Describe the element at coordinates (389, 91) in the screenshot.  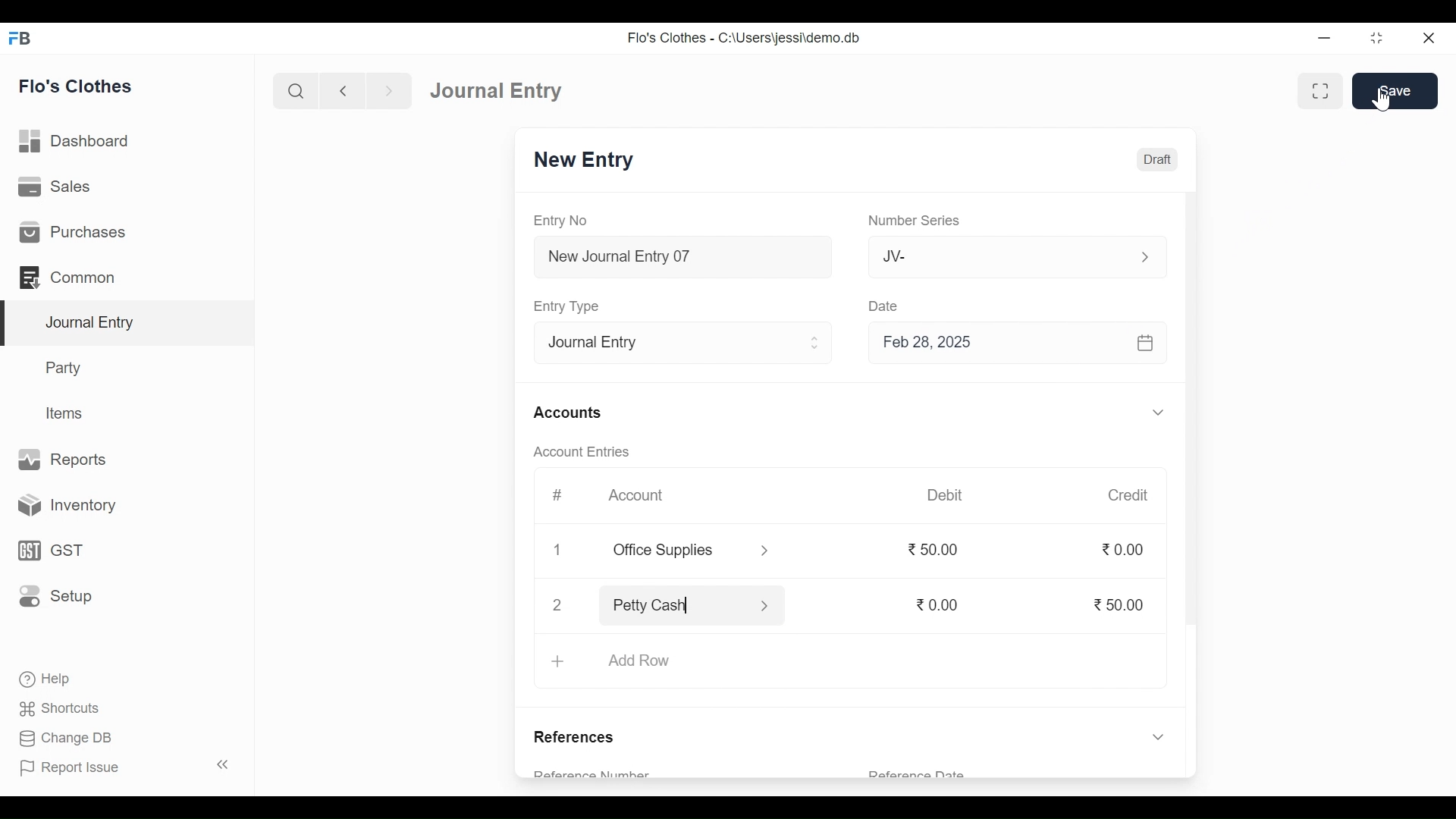
I see `Navigate Forward` at that location.